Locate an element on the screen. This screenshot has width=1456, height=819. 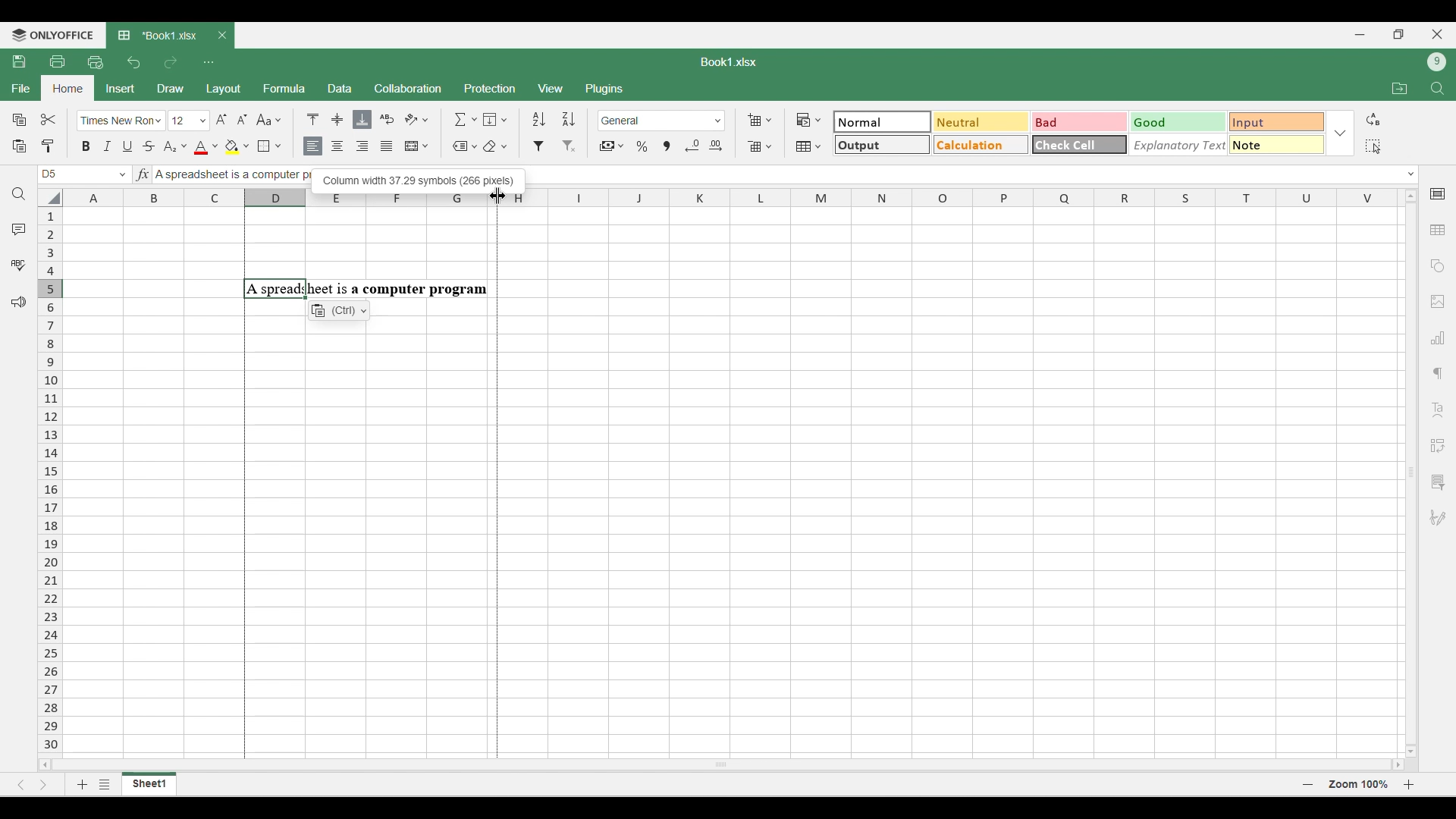
Next is located at coordinates (44, 784).